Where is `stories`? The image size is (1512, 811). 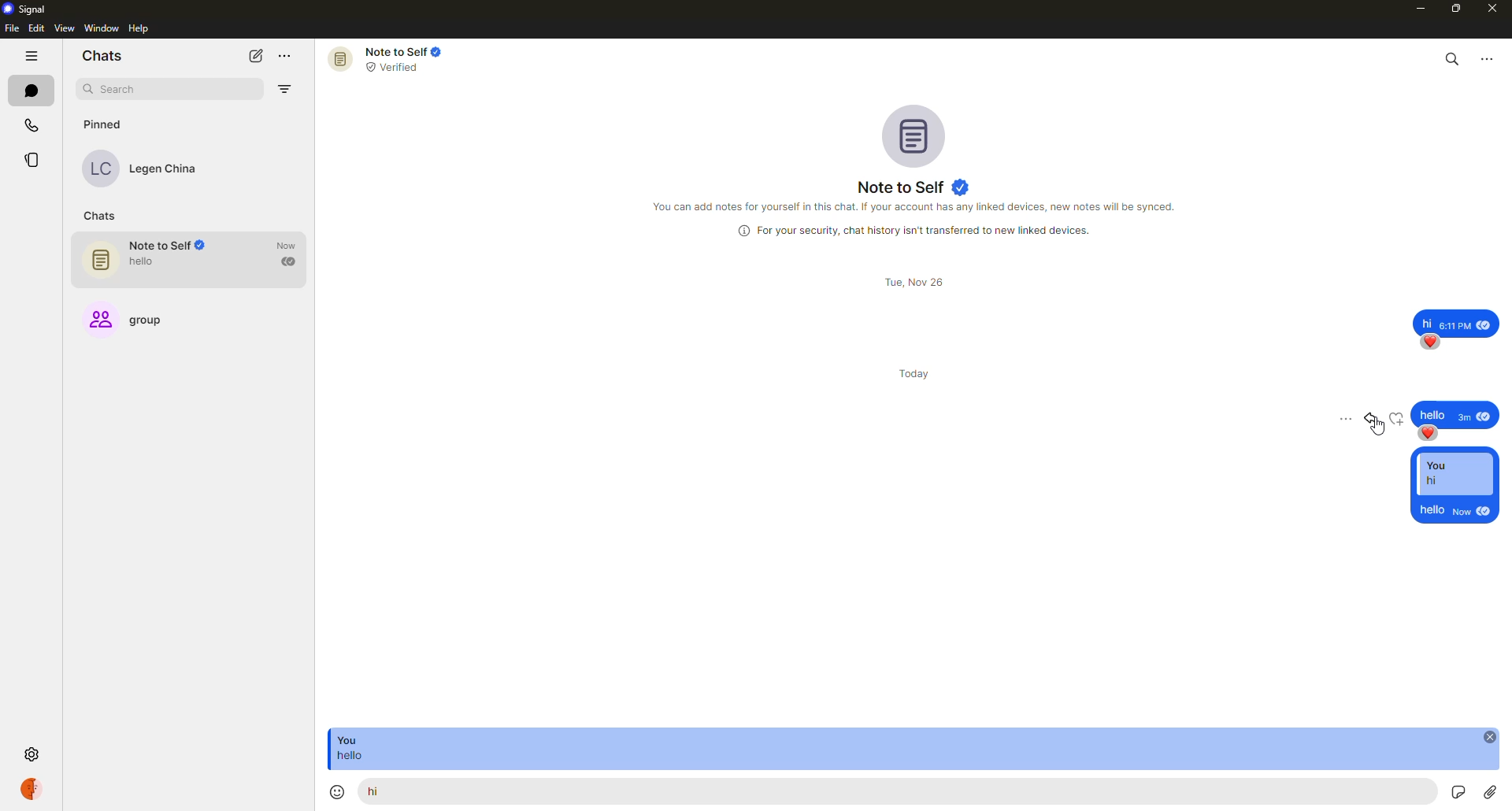
stories is located at coordinates (34, 158).